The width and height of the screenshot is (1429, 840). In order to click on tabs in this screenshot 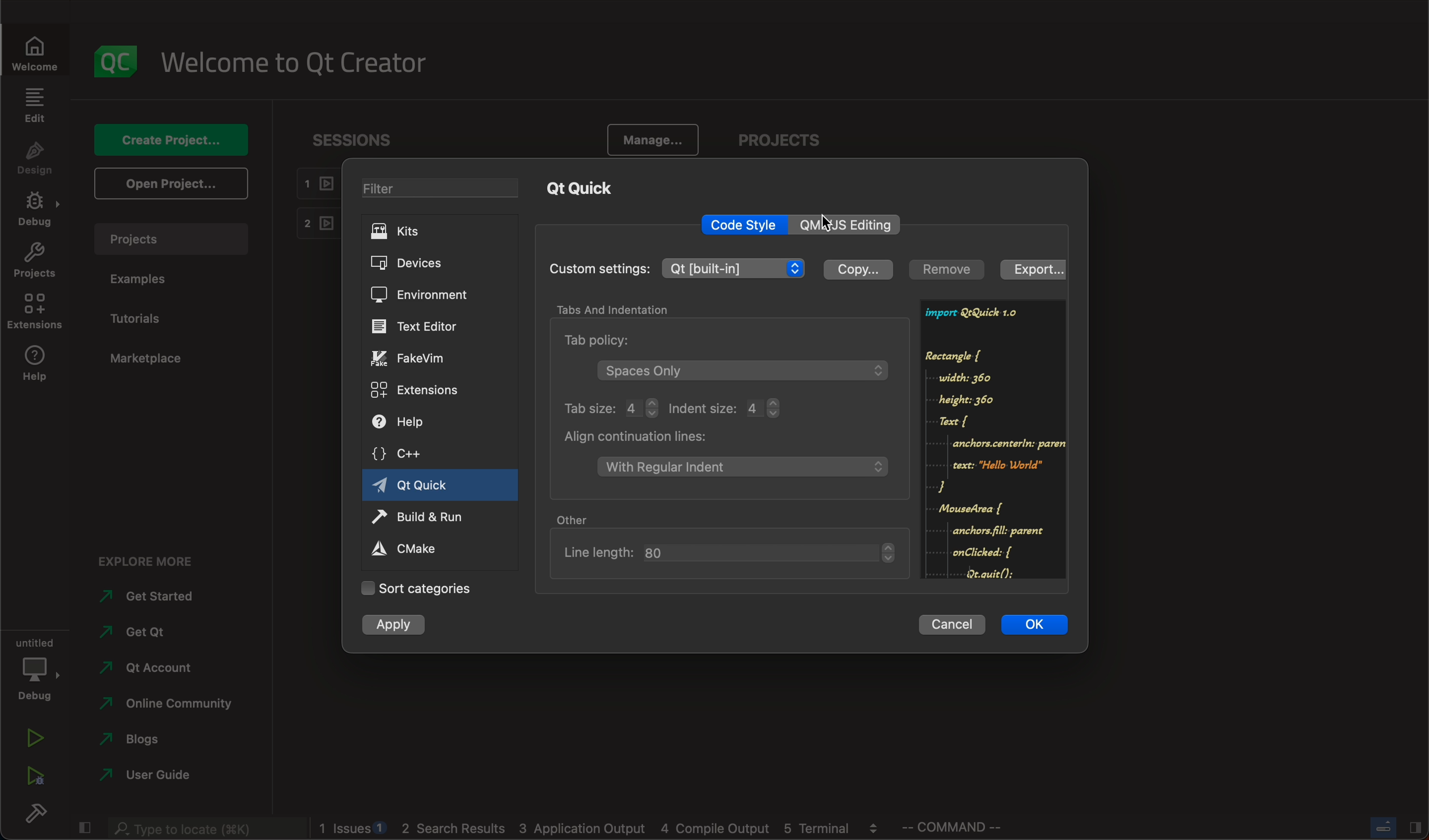, I will do `click(623, 308)`.